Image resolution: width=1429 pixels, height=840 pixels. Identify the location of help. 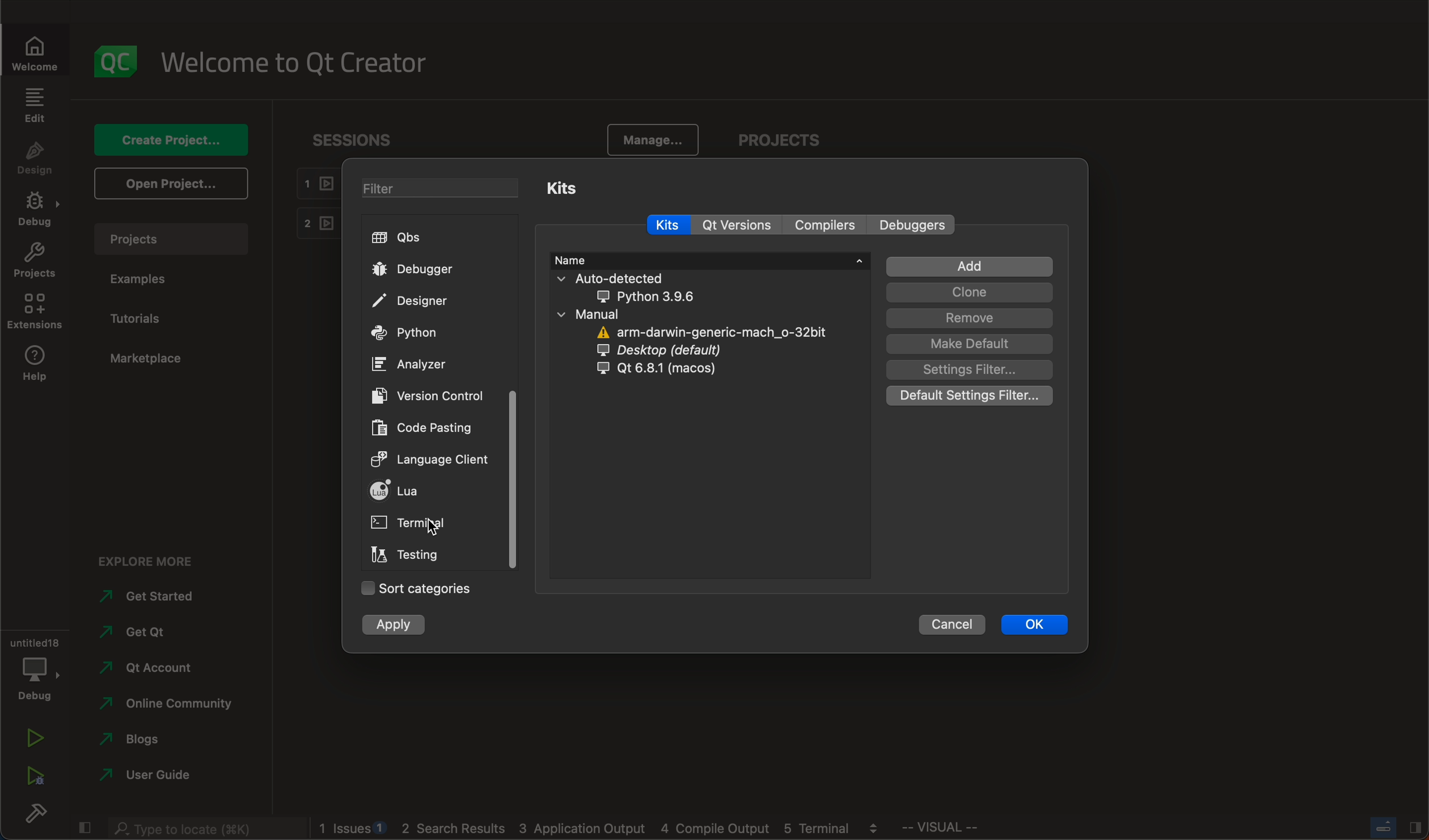
(35, 365).